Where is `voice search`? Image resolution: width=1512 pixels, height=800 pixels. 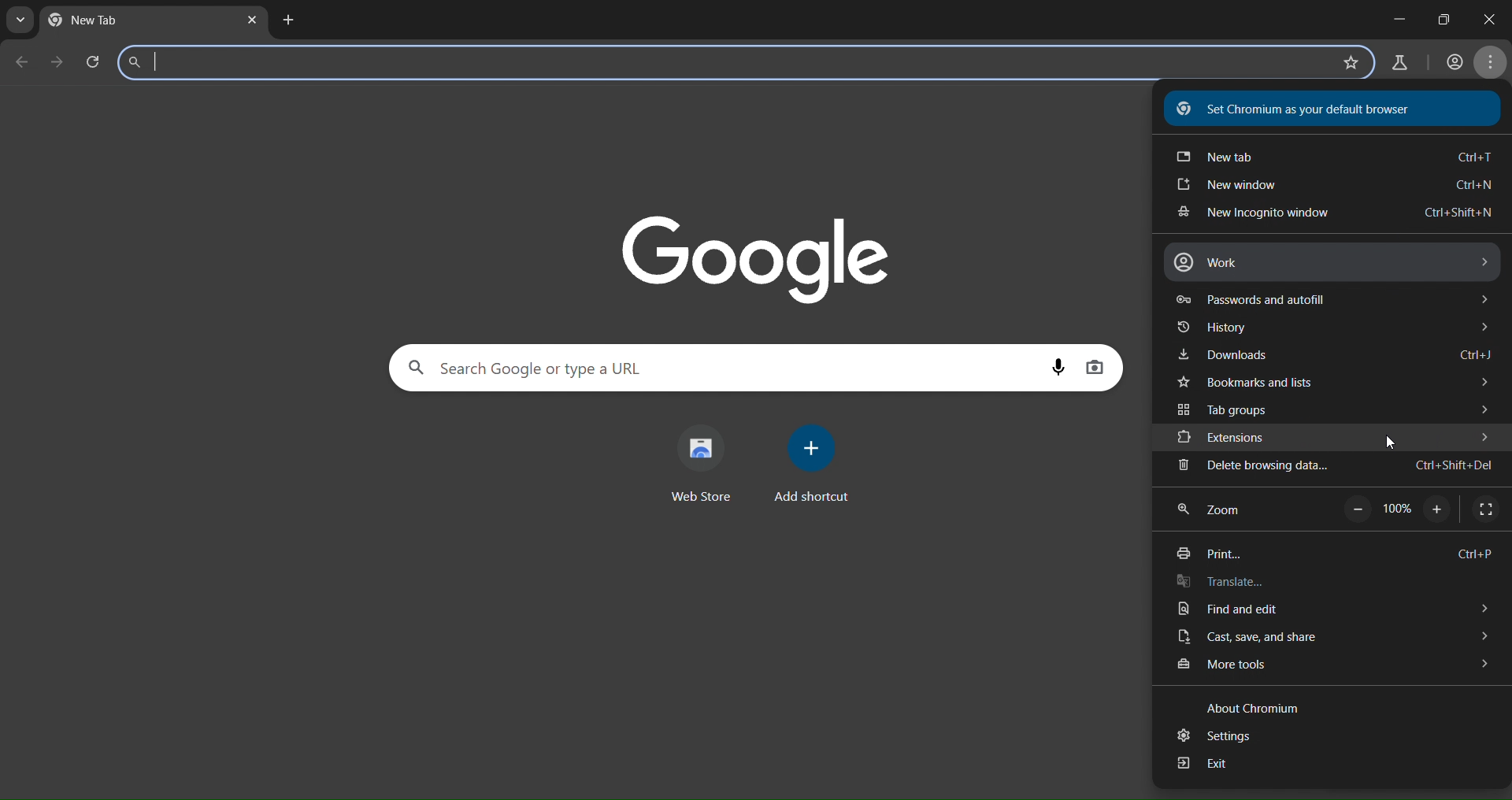
voice search is located at coordinates (1058, 365).